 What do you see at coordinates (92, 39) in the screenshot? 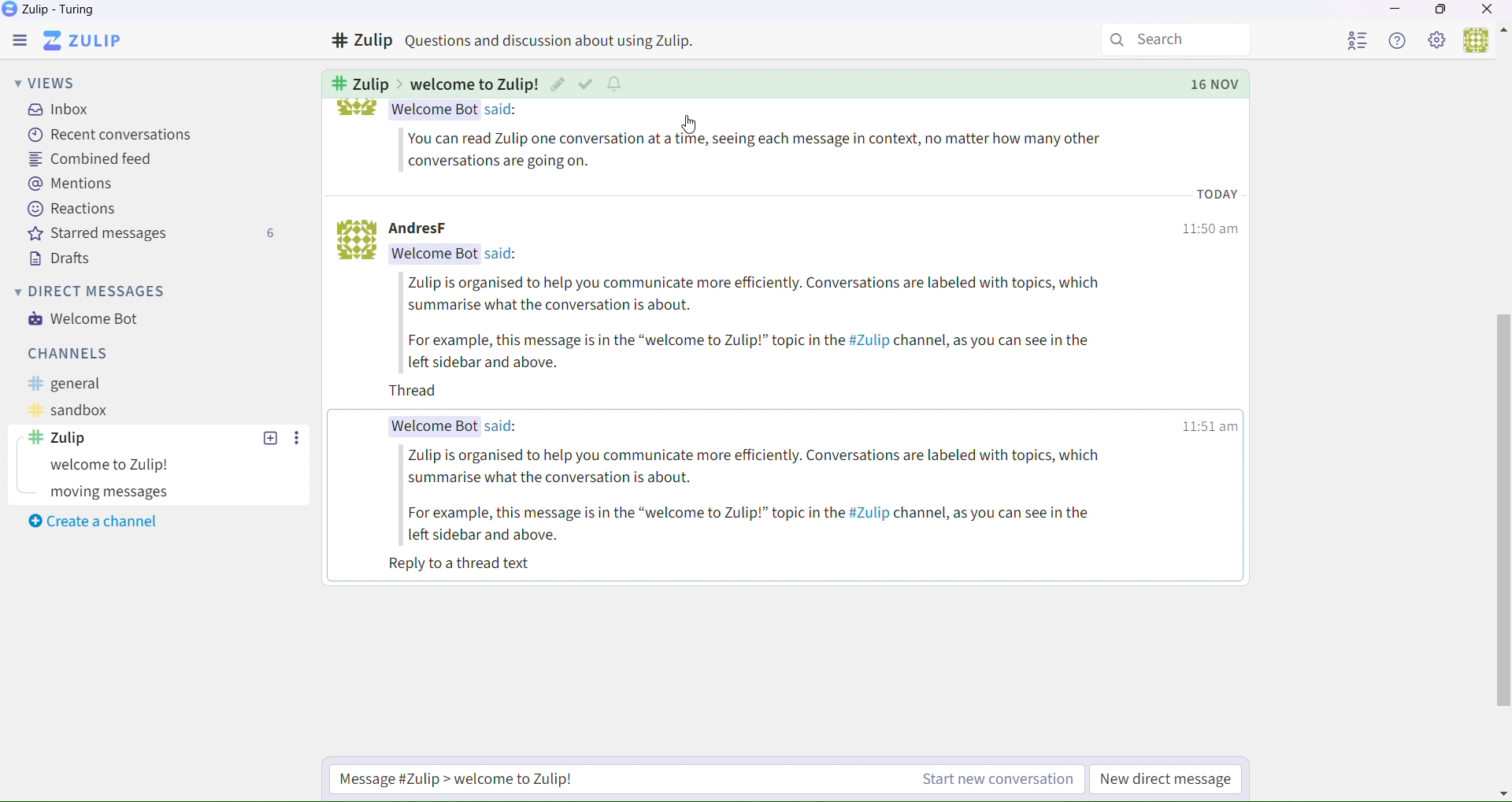
I see `Zulip` at bounding box center [92, 39].